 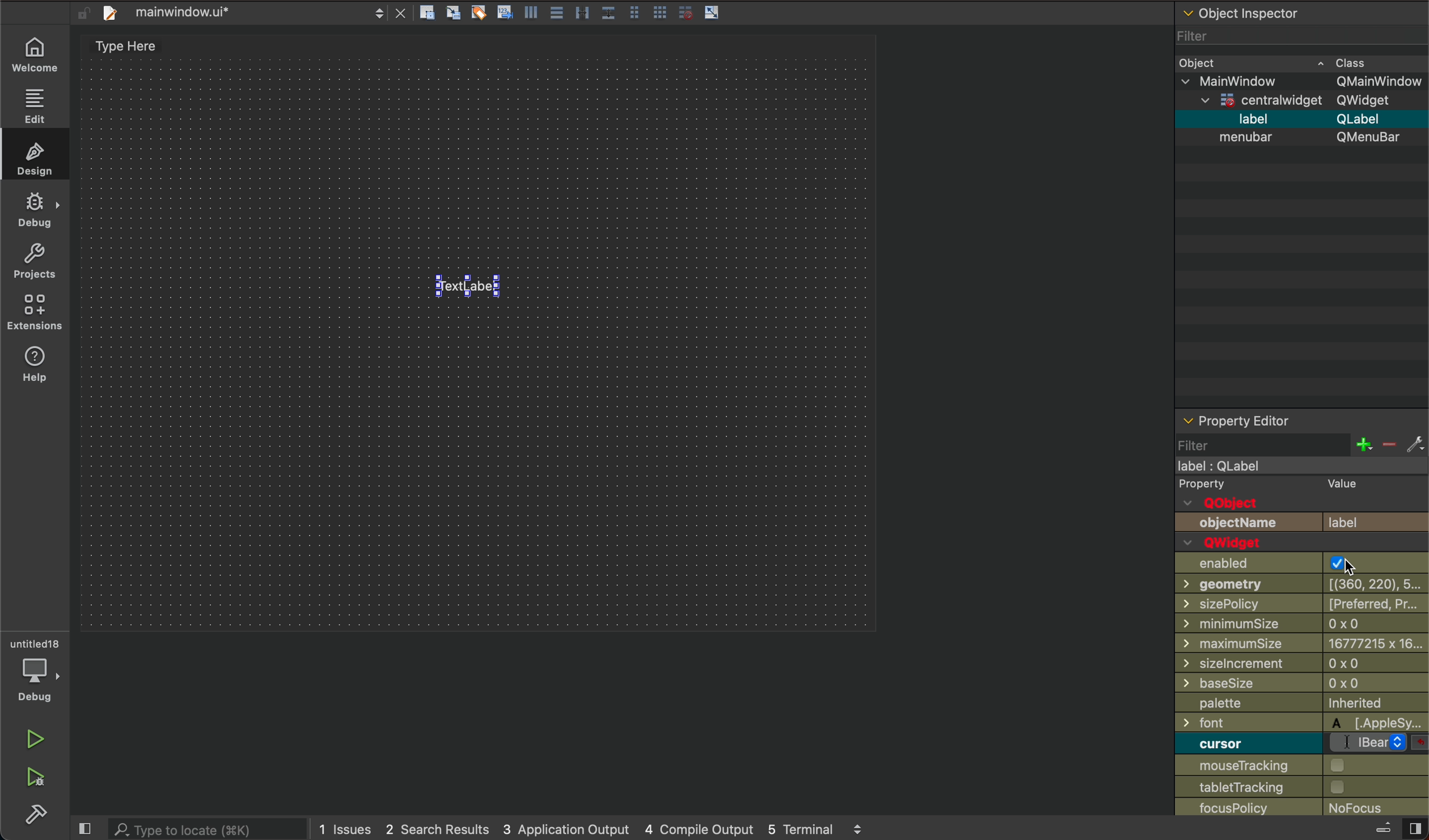 I want to click on Qmainwindow, so click(x=1380, y=80).